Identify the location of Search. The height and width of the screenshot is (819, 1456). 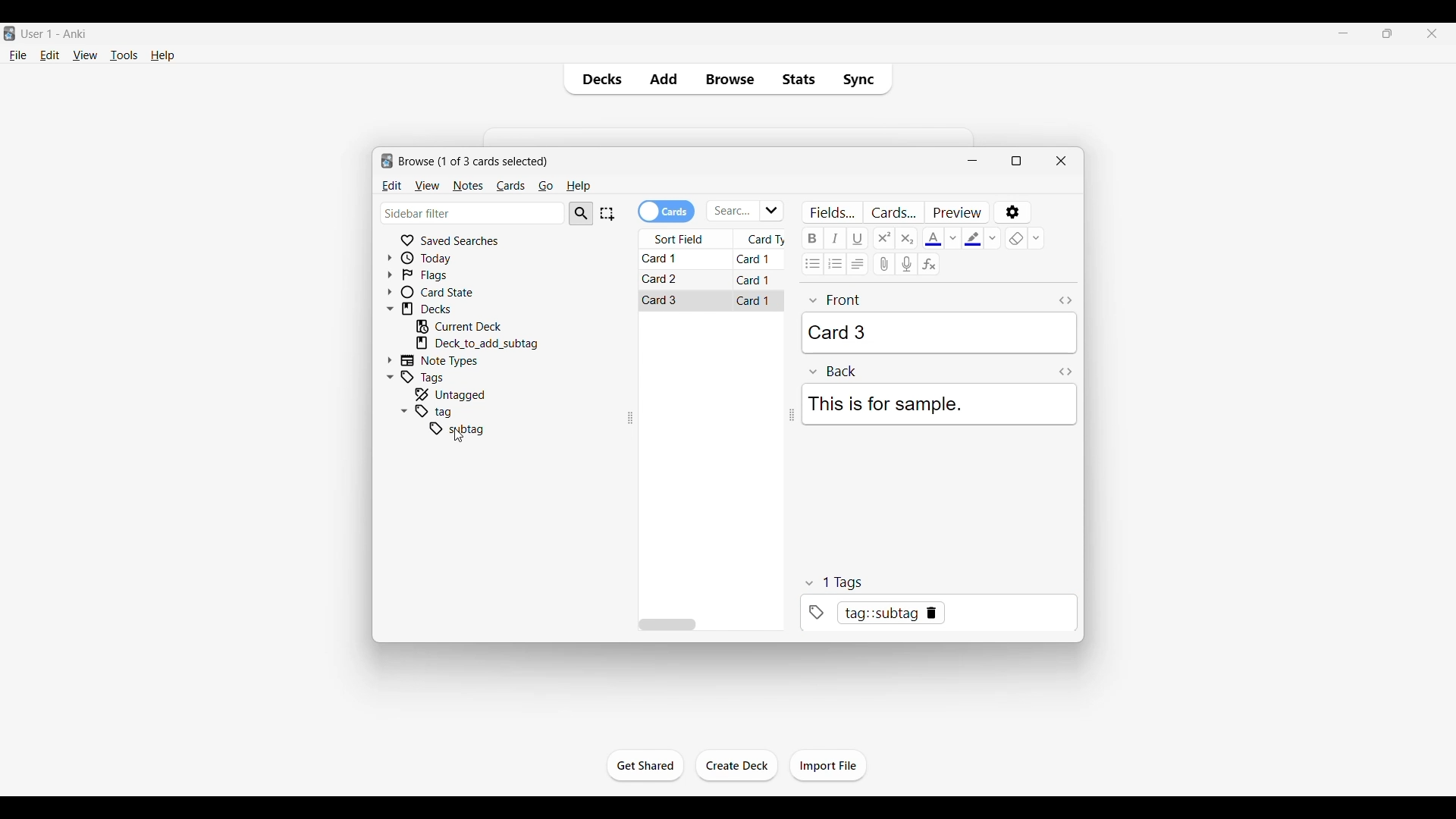
(581, 214).